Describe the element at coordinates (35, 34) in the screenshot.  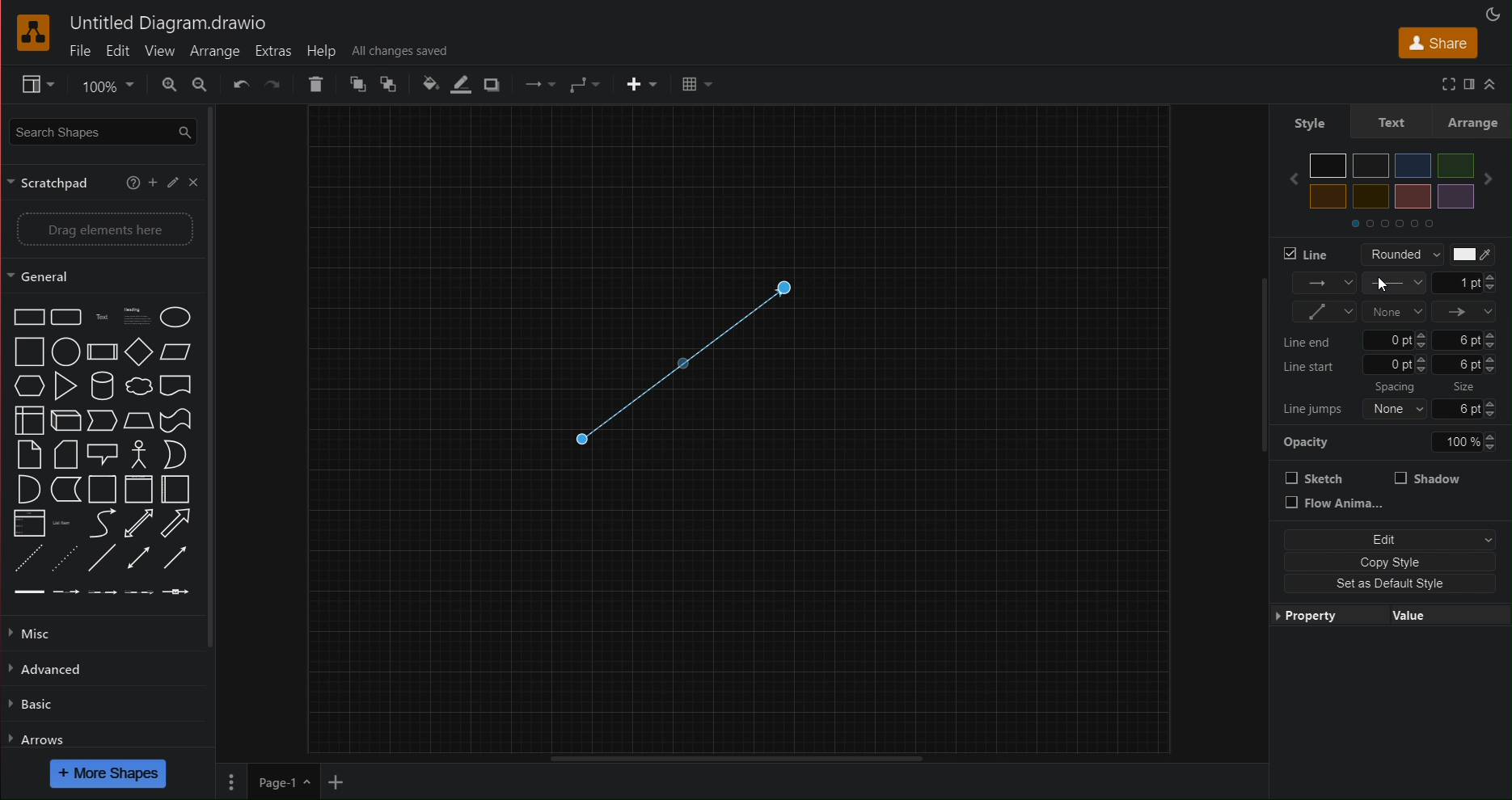
I see `Logo` at that location.